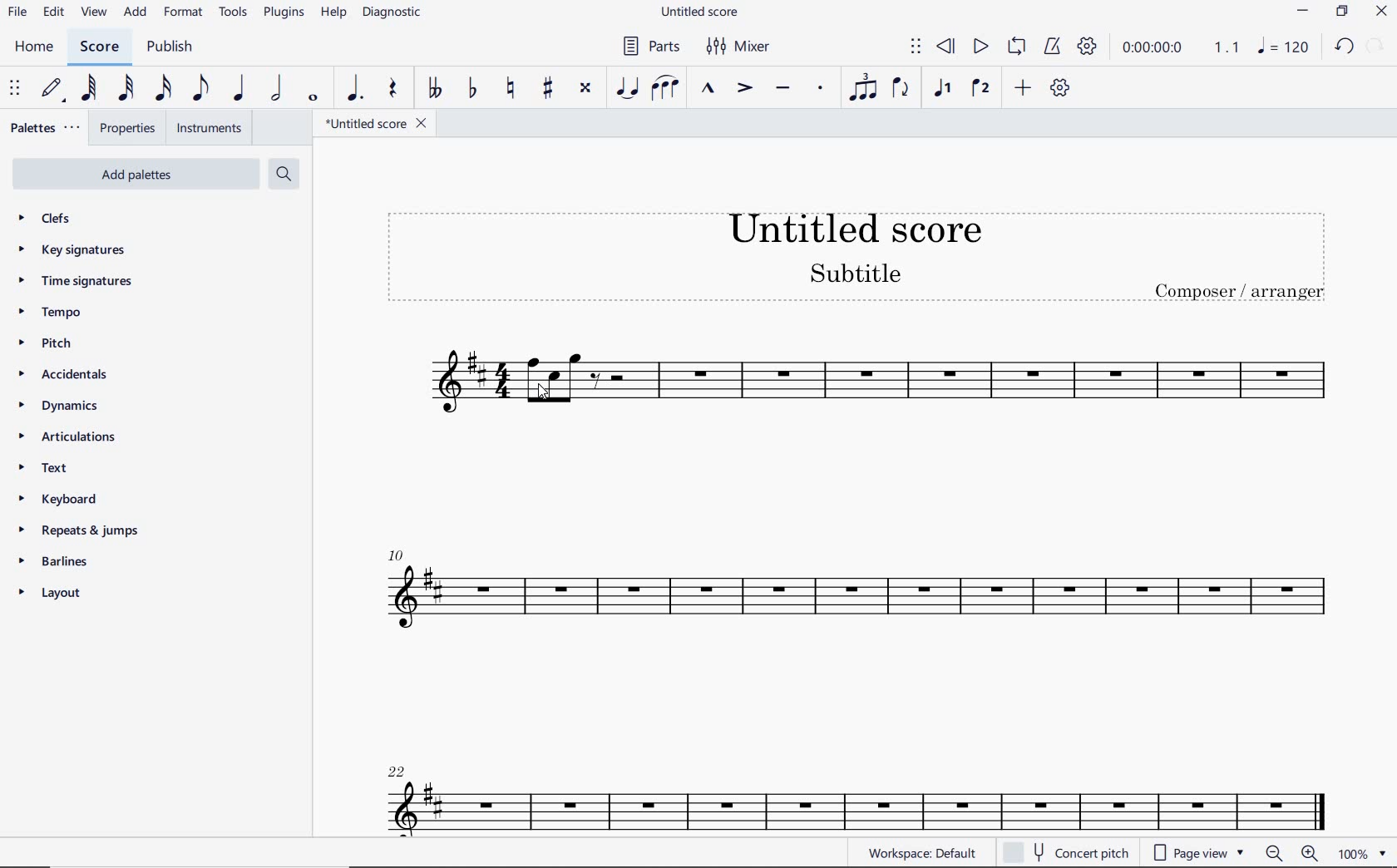  I want to click on MINIMIZE, so click(1306, 12).